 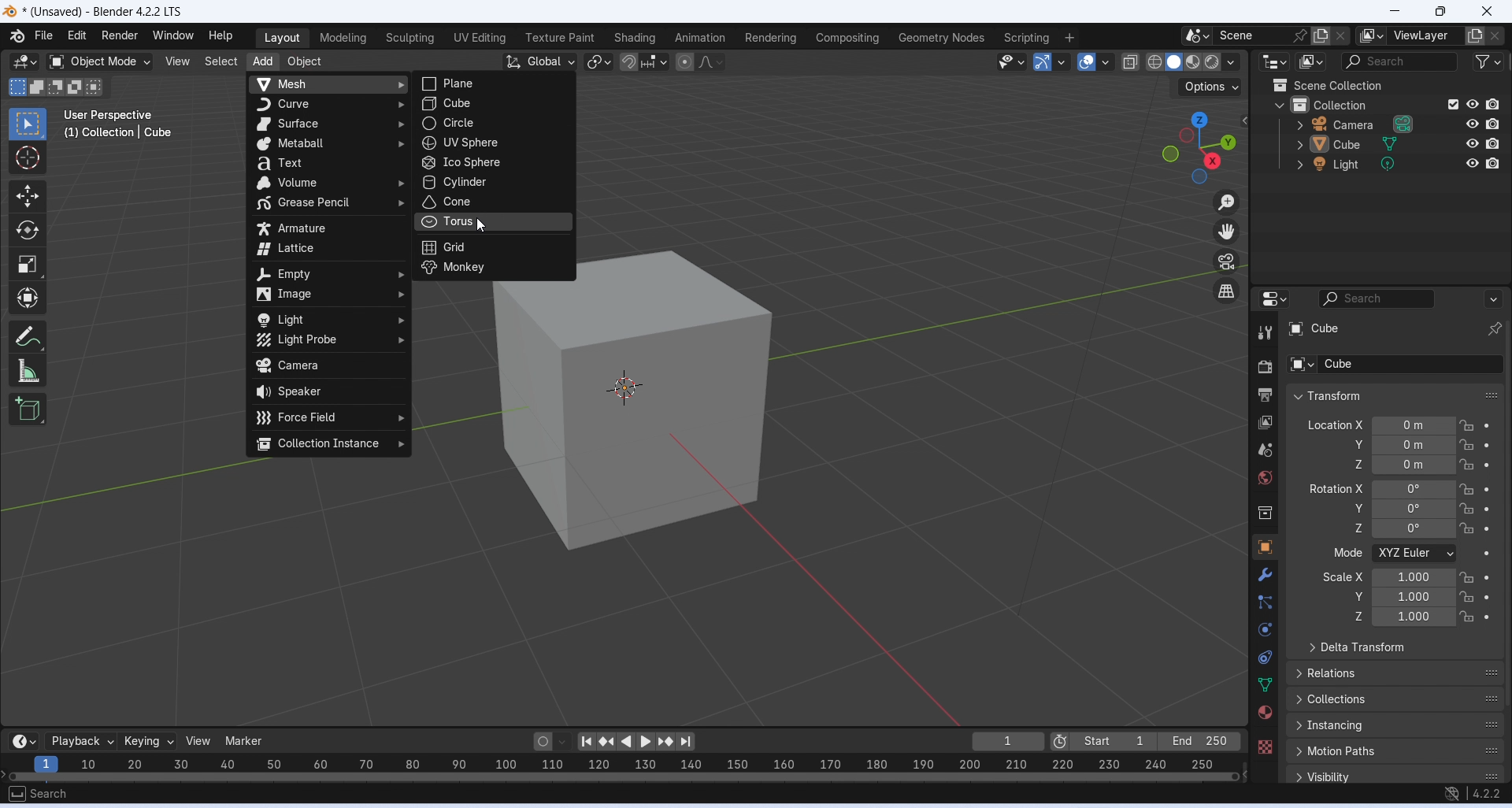 I want to click on Marker, so click(x=244, y=741).